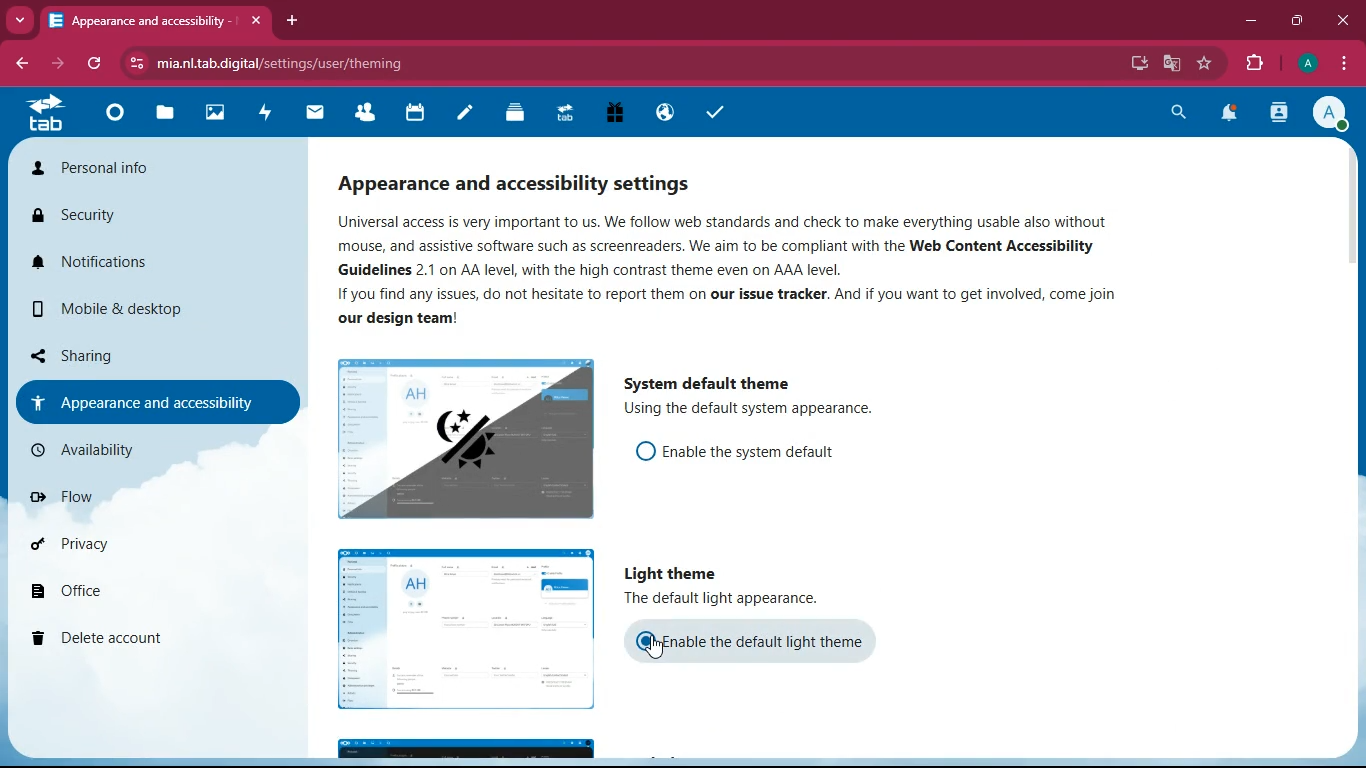 The image size is (1366, 768). I want to click on tab, so click(146, 20).